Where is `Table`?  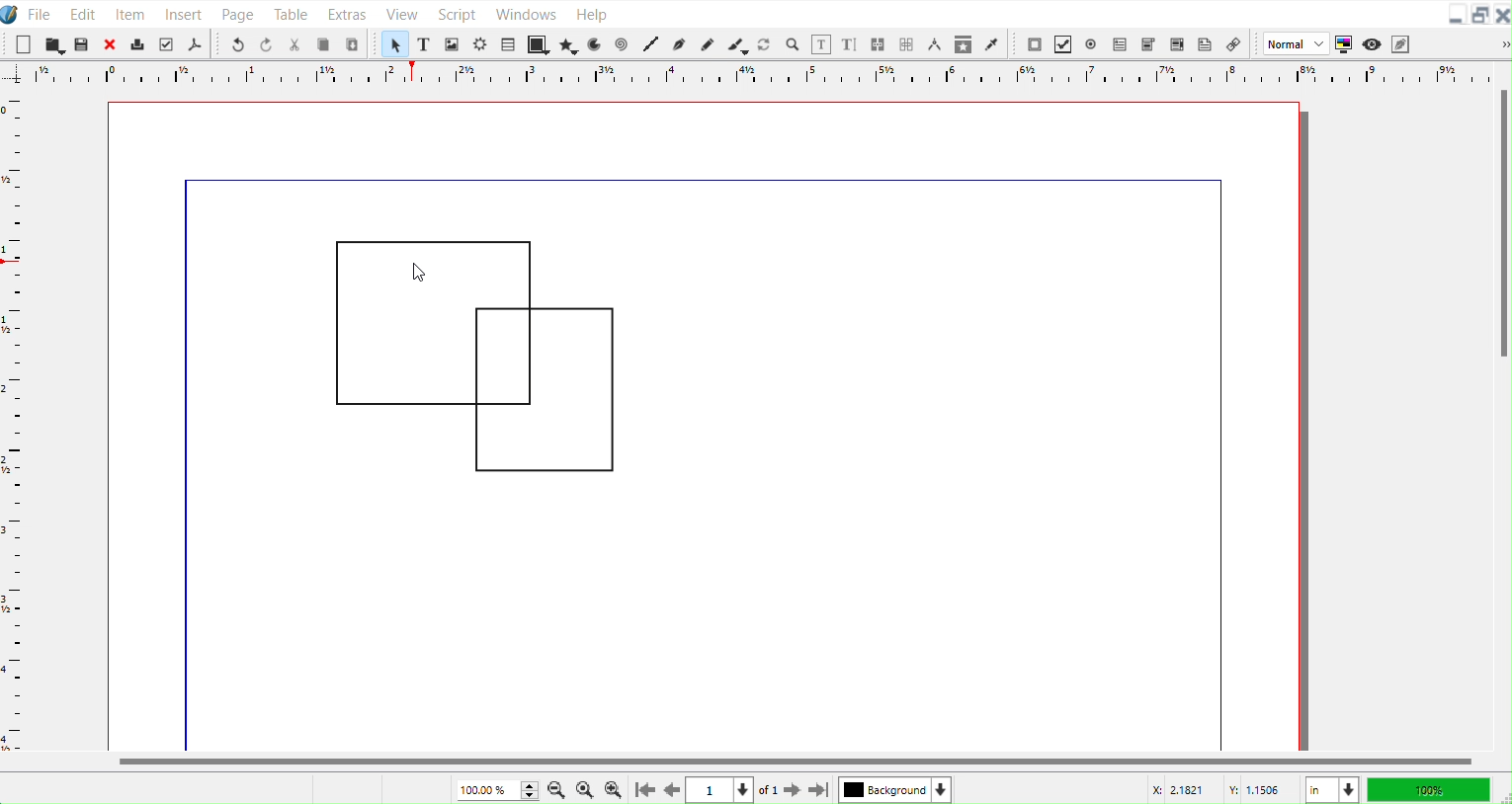 Table is located at coordinates (292, 13).